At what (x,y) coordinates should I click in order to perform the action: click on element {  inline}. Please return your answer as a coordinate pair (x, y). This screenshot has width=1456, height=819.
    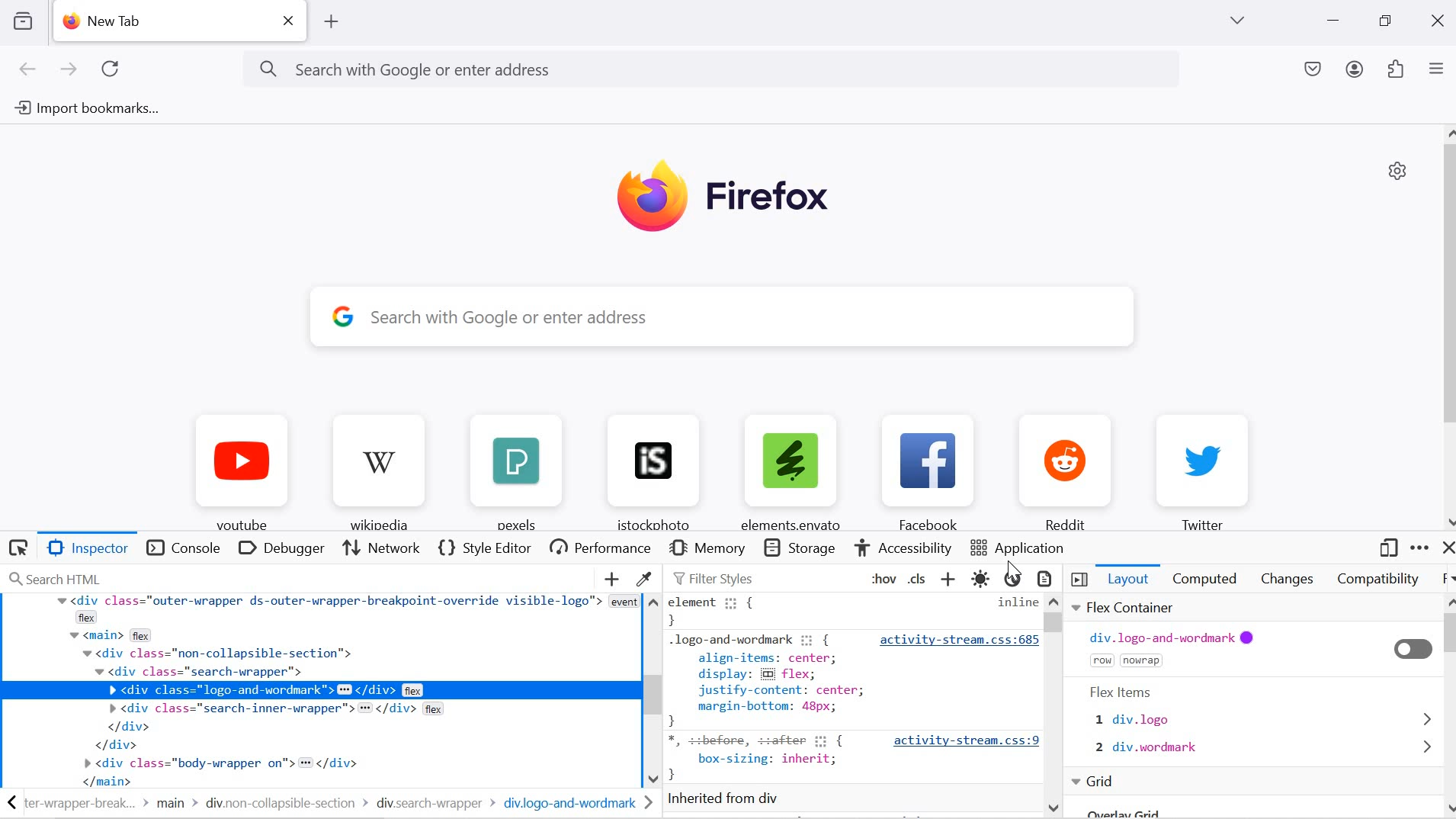
    Looking at the image, I should click on (854, 612).